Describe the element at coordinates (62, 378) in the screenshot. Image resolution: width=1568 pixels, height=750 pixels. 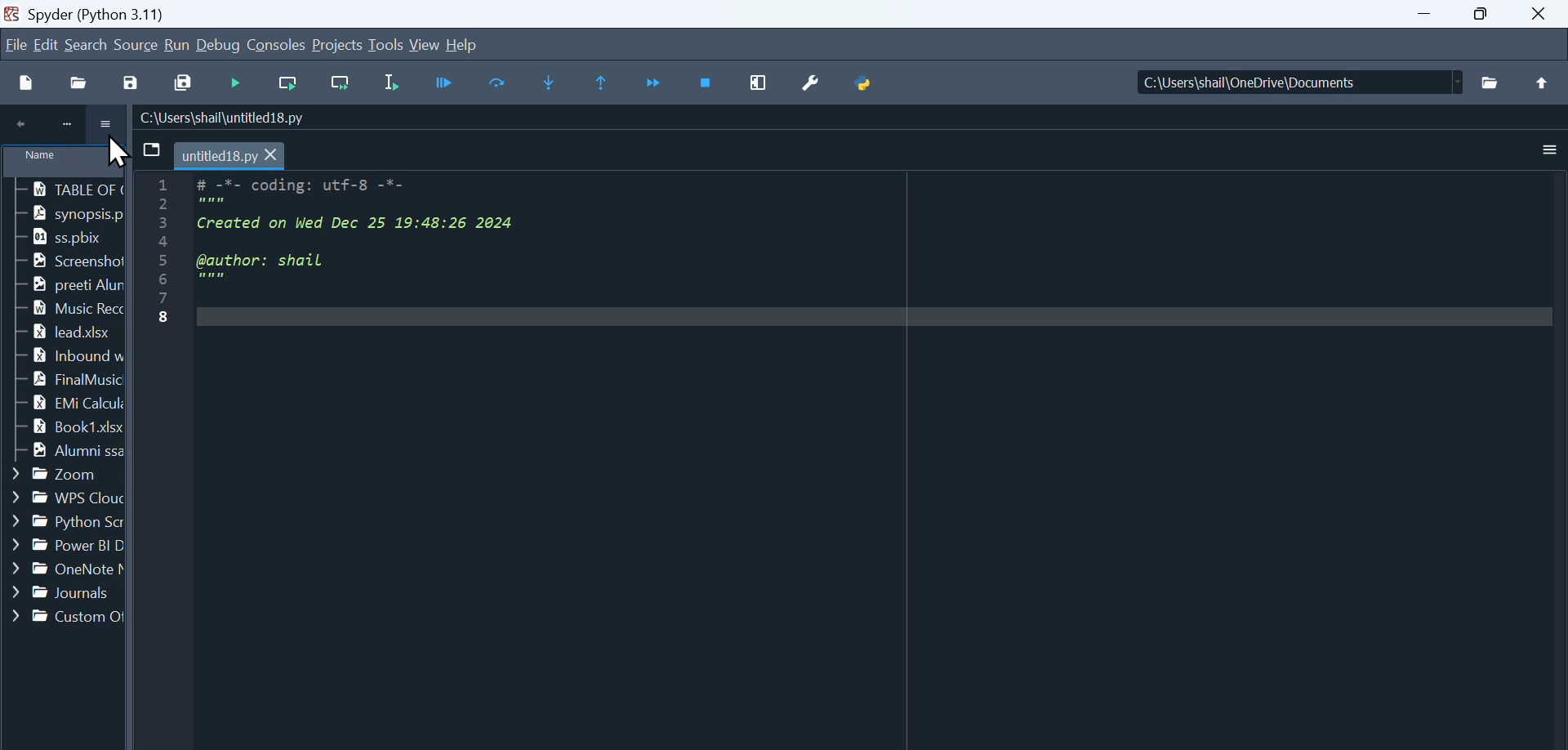
I see `FinalMusic..` at that location.